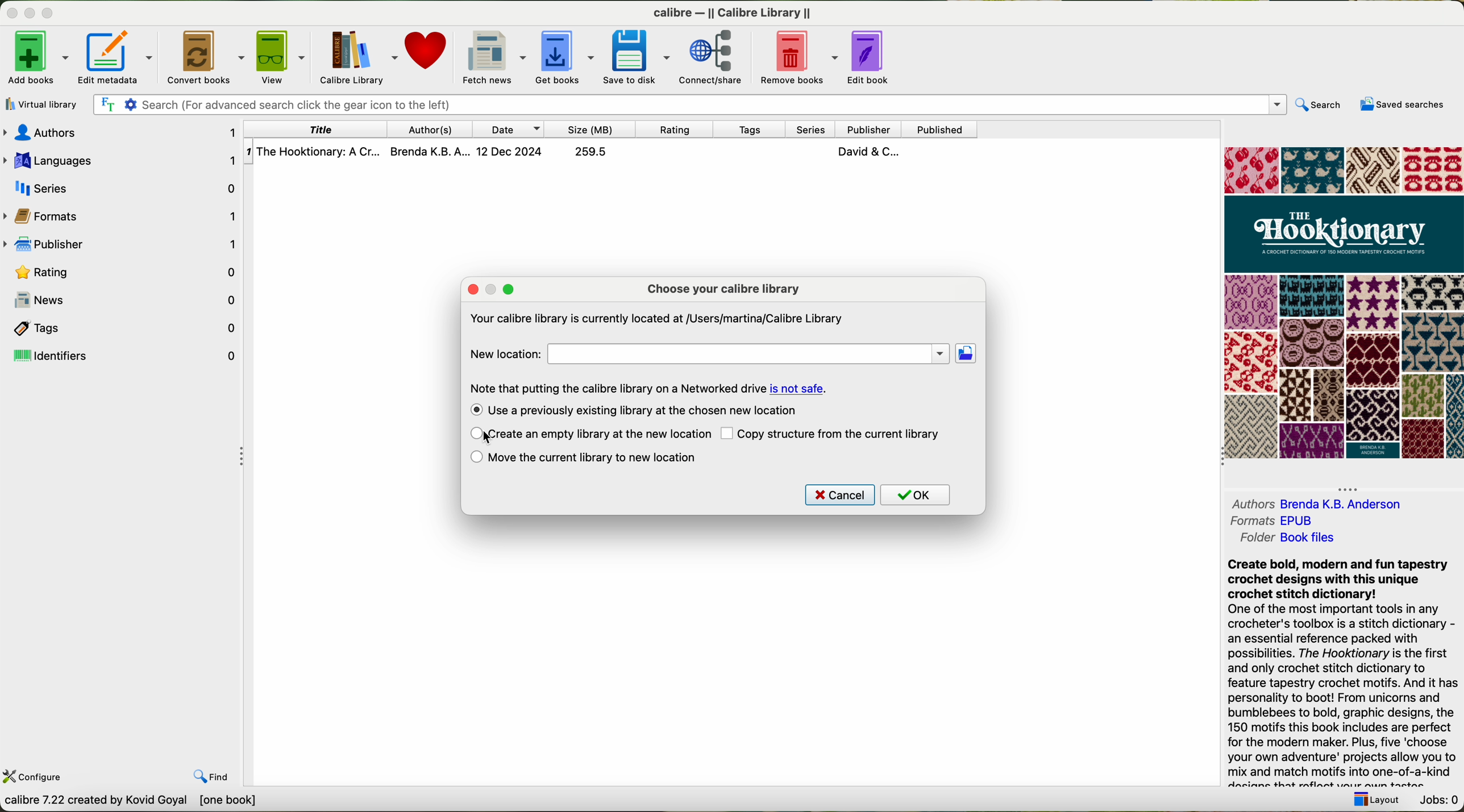 Image resolution: width=1464 pixels, height=812 pixels. What do you see at coordinates (122, 186) in the screenshot?
I see `series` at bounding box center [122, 186].